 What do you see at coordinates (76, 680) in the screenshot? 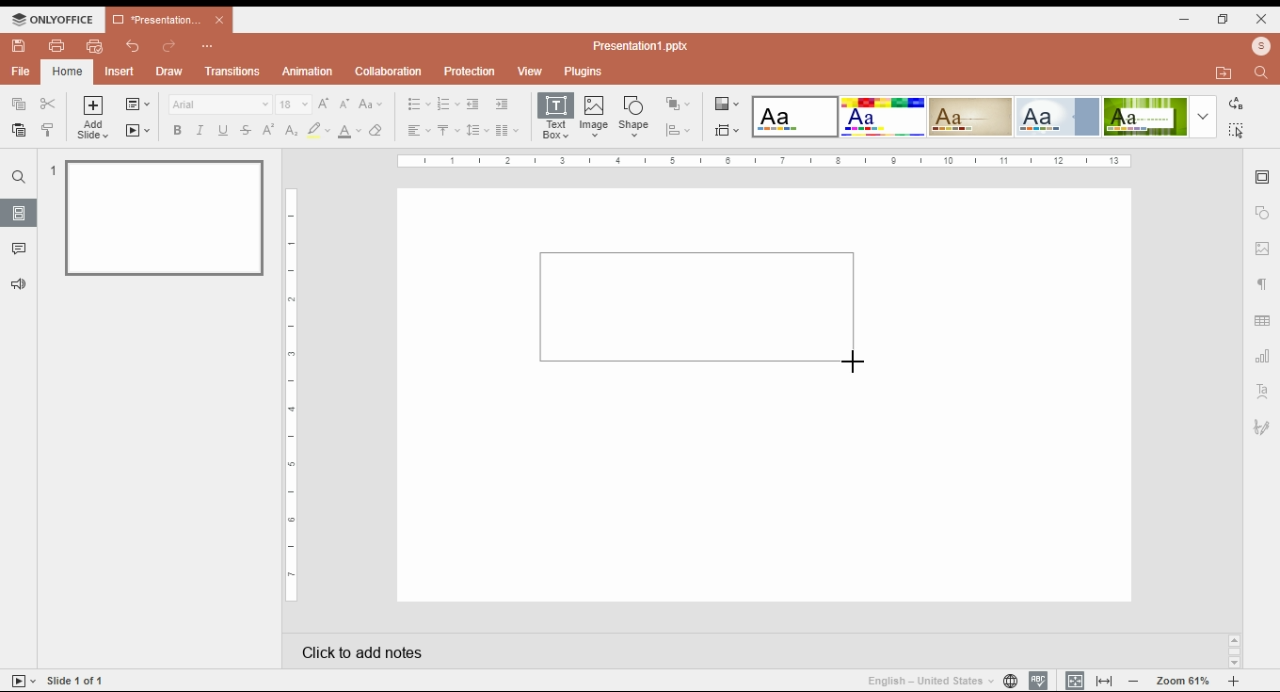
I see `Slide 1 of 1` at bounding box center [76, 680].